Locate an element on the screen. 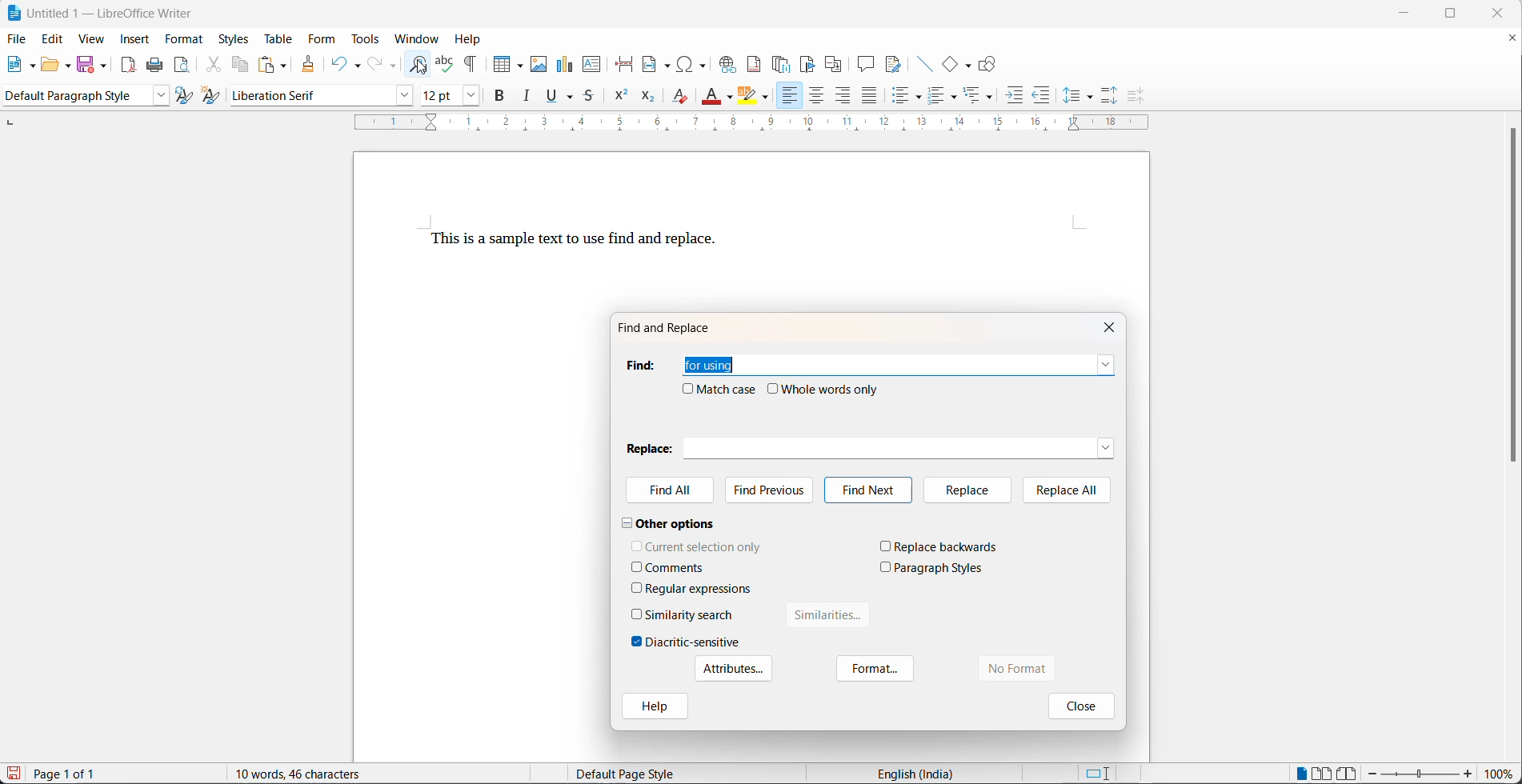 This screenshot has height=784, width=1522. find and replace dialog box title is located at coordinates (673, 328).